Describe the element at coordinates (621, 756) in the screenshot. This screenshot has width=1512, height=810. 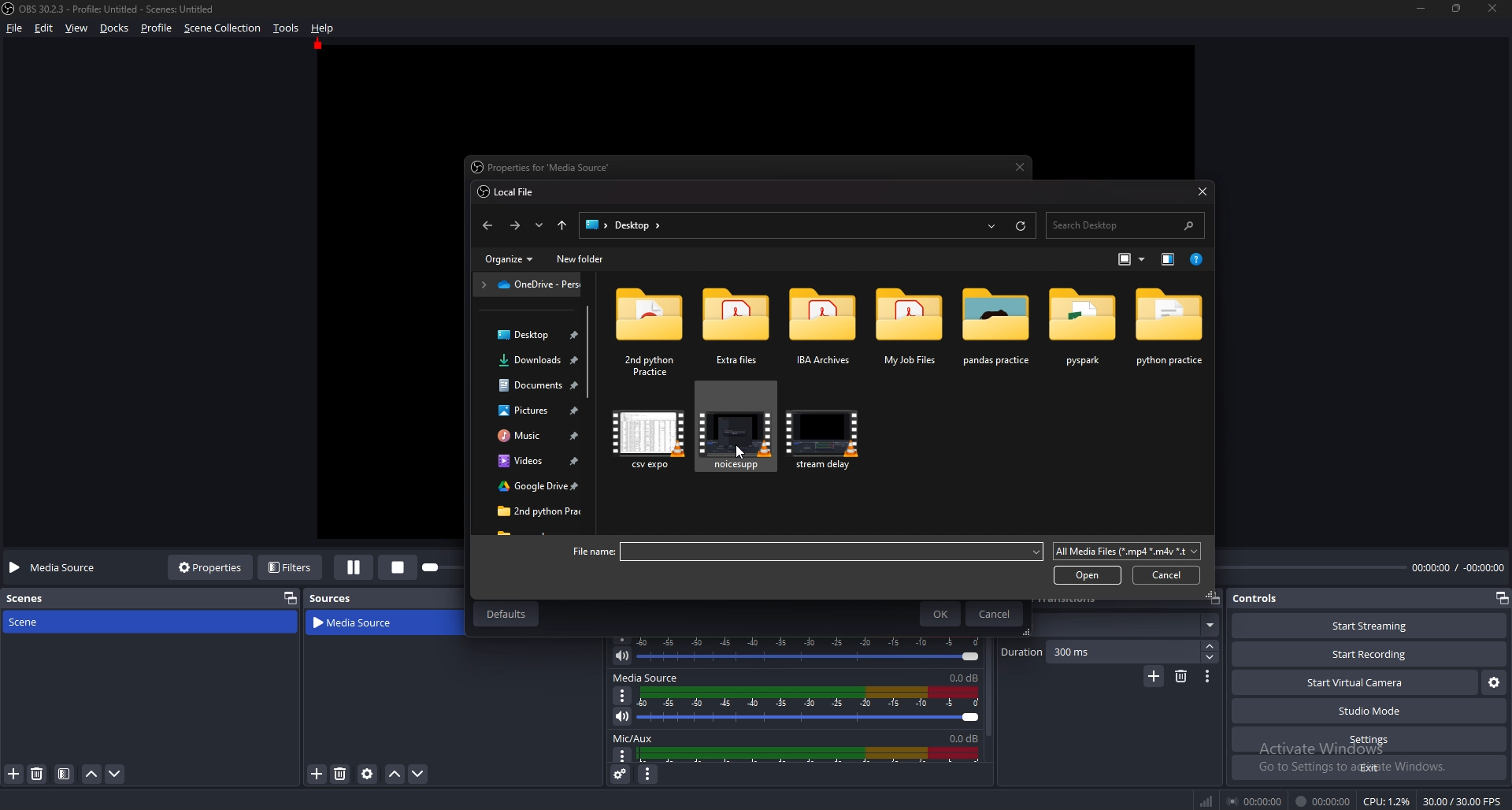
I see `mic/aux properties` at that location.